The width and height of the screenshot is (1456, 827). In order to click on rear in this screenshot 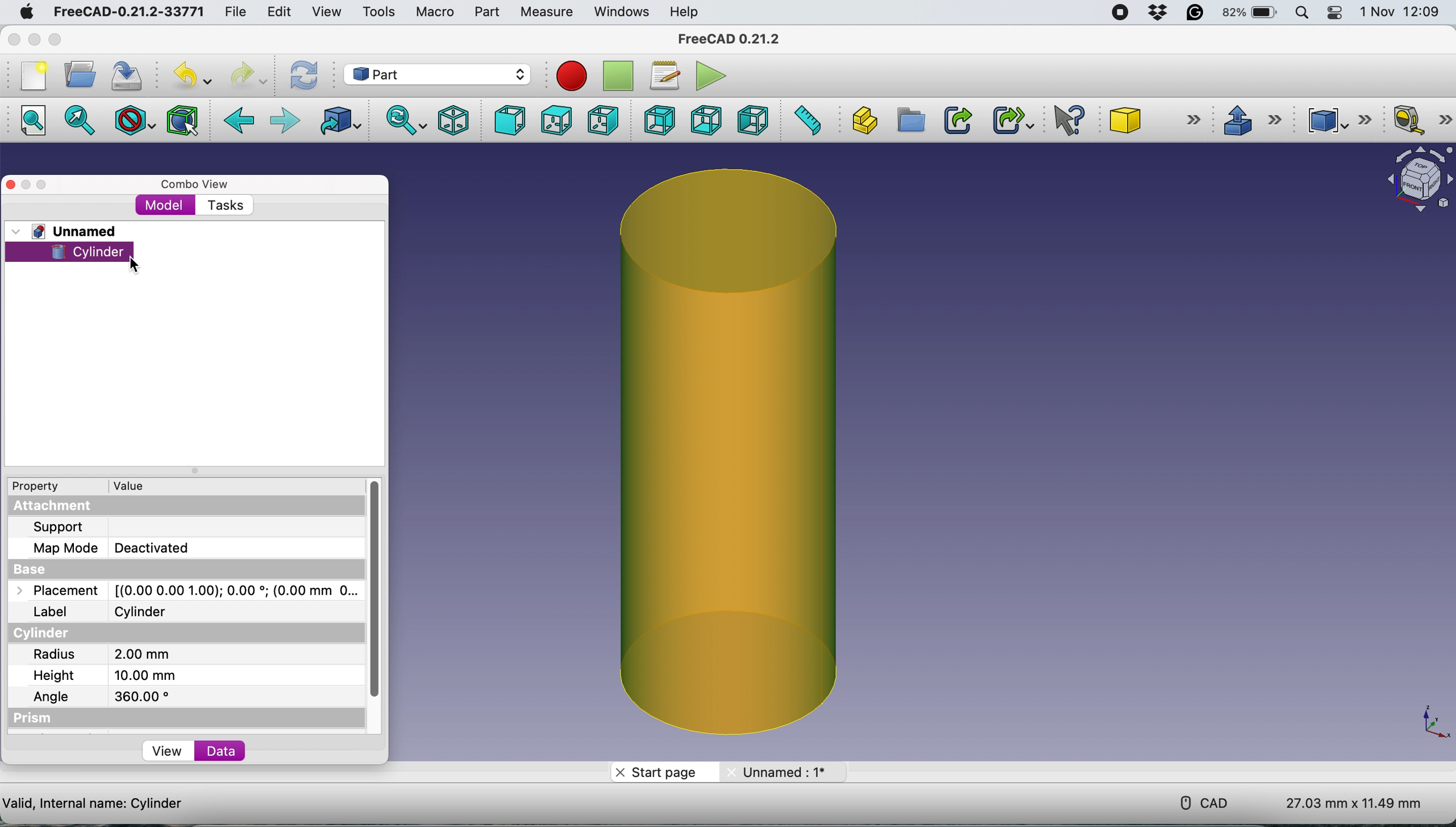, I will do `click(656, 122)`.